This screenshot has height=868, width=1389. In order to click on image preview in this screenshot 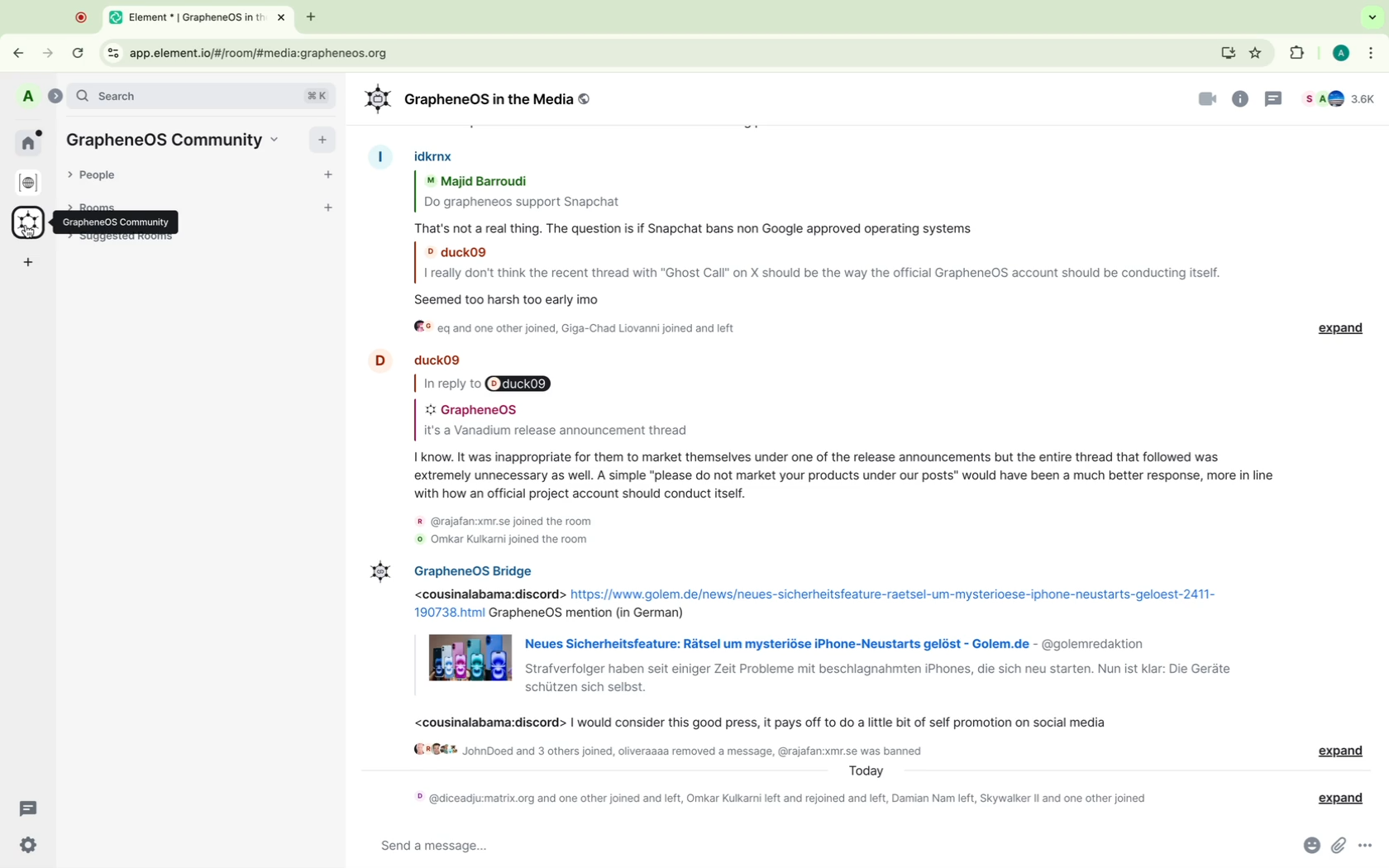, I will do `click(470, 657)`.